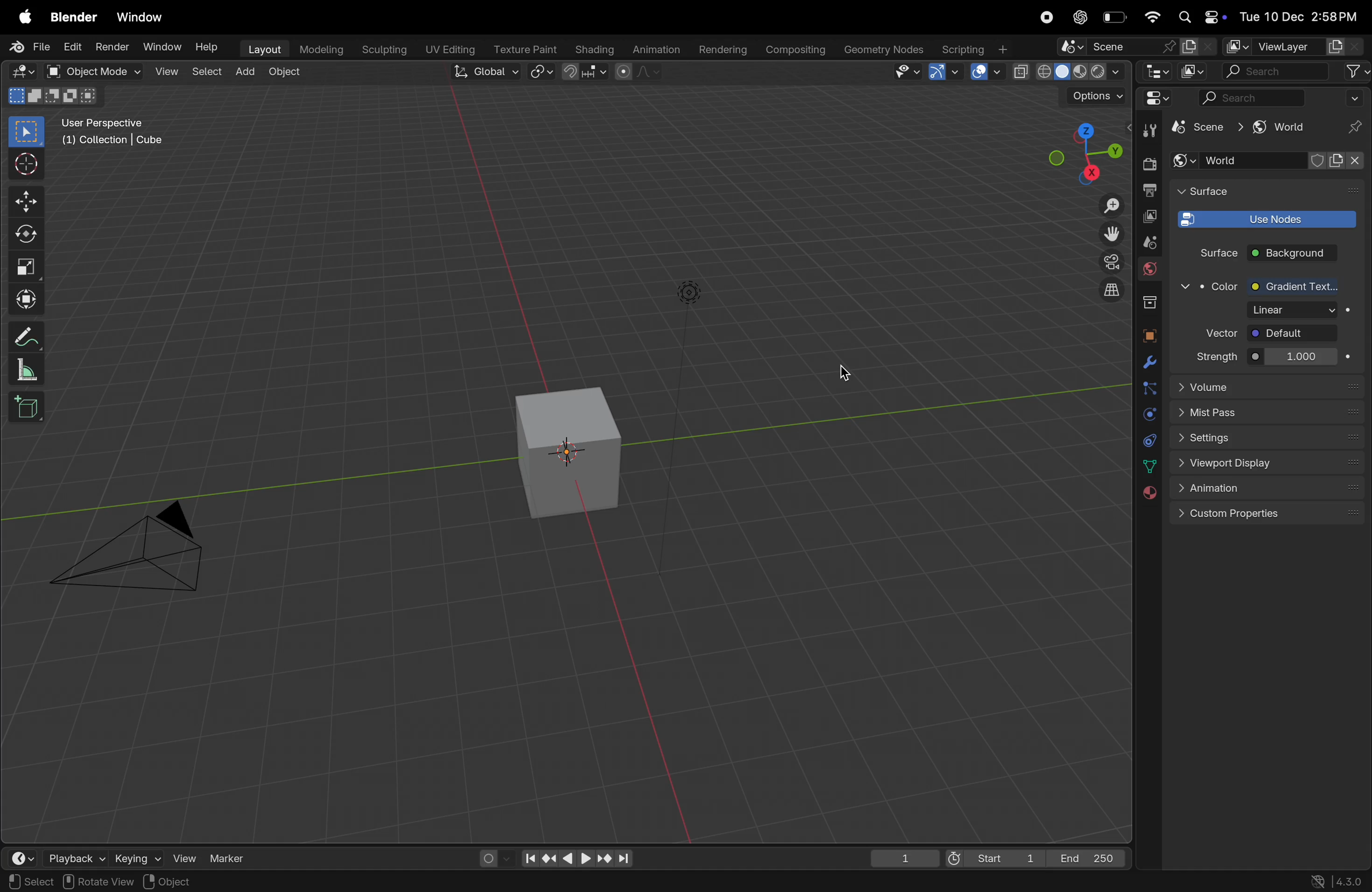  I want to click on default, so click(1290, 334).